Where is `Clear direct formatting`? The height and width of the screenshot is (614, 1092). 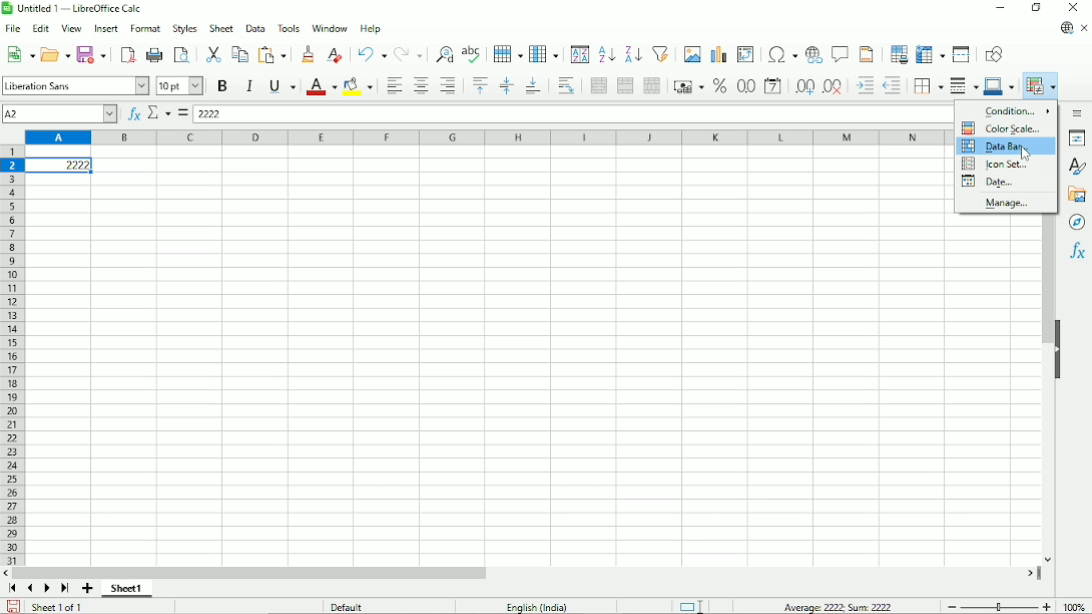 Clear direct formatting is located at coordinates (334, 55).